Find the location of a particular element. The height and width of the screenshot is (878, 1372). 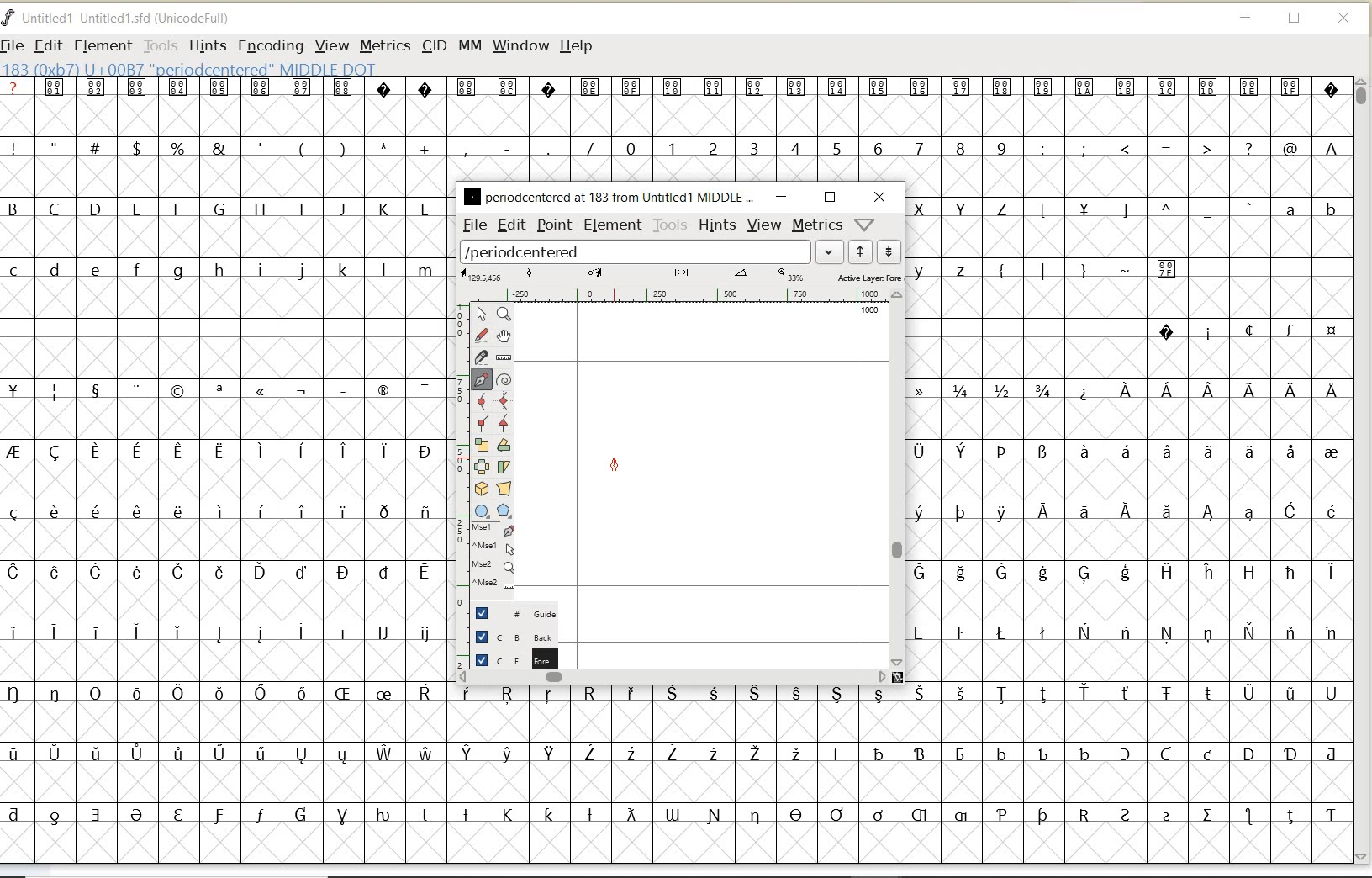

METRICS is located at coordinates (384, 45).